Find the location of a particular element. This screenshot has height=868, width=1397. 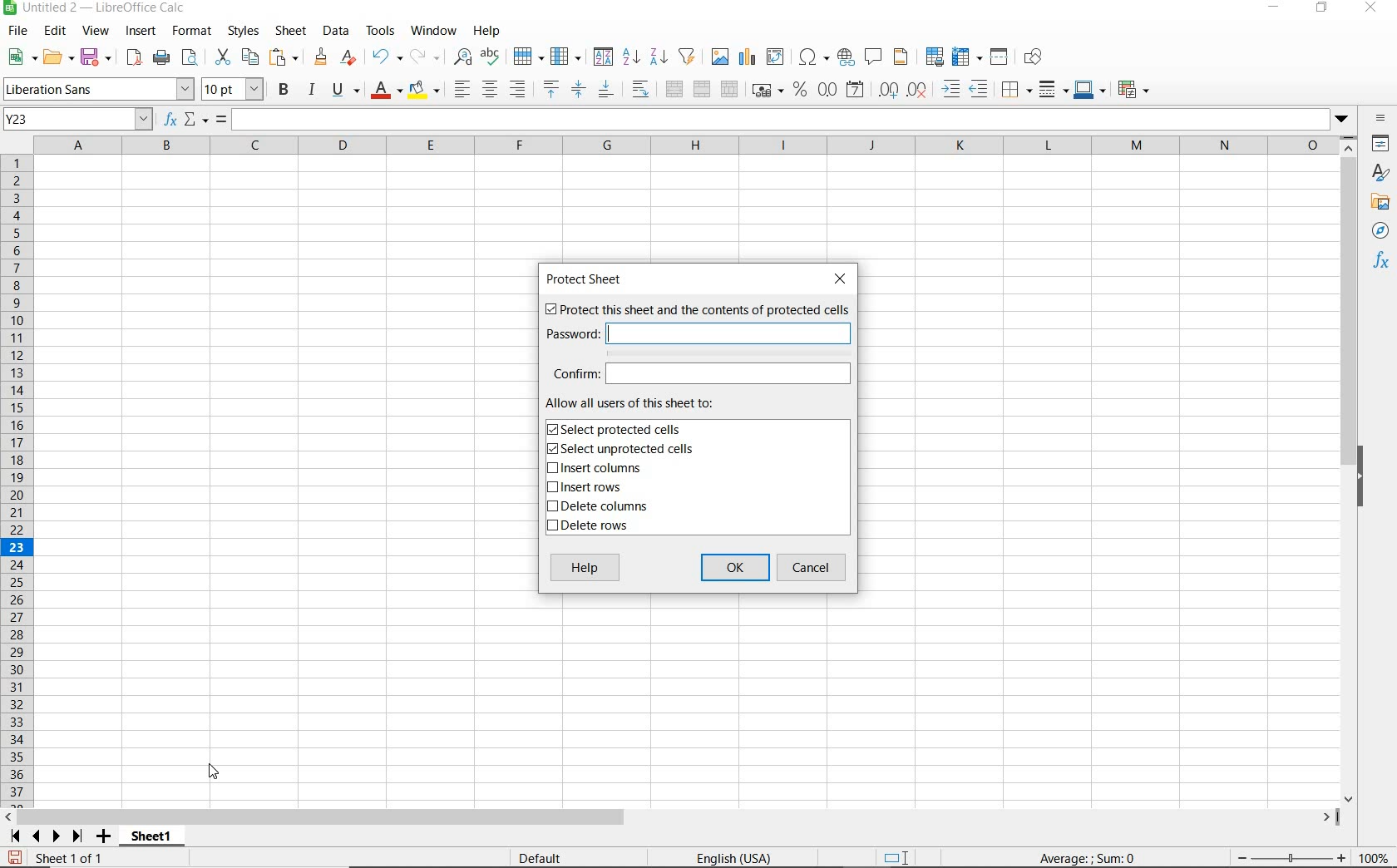

cursor is located at coordinates (216, 770).